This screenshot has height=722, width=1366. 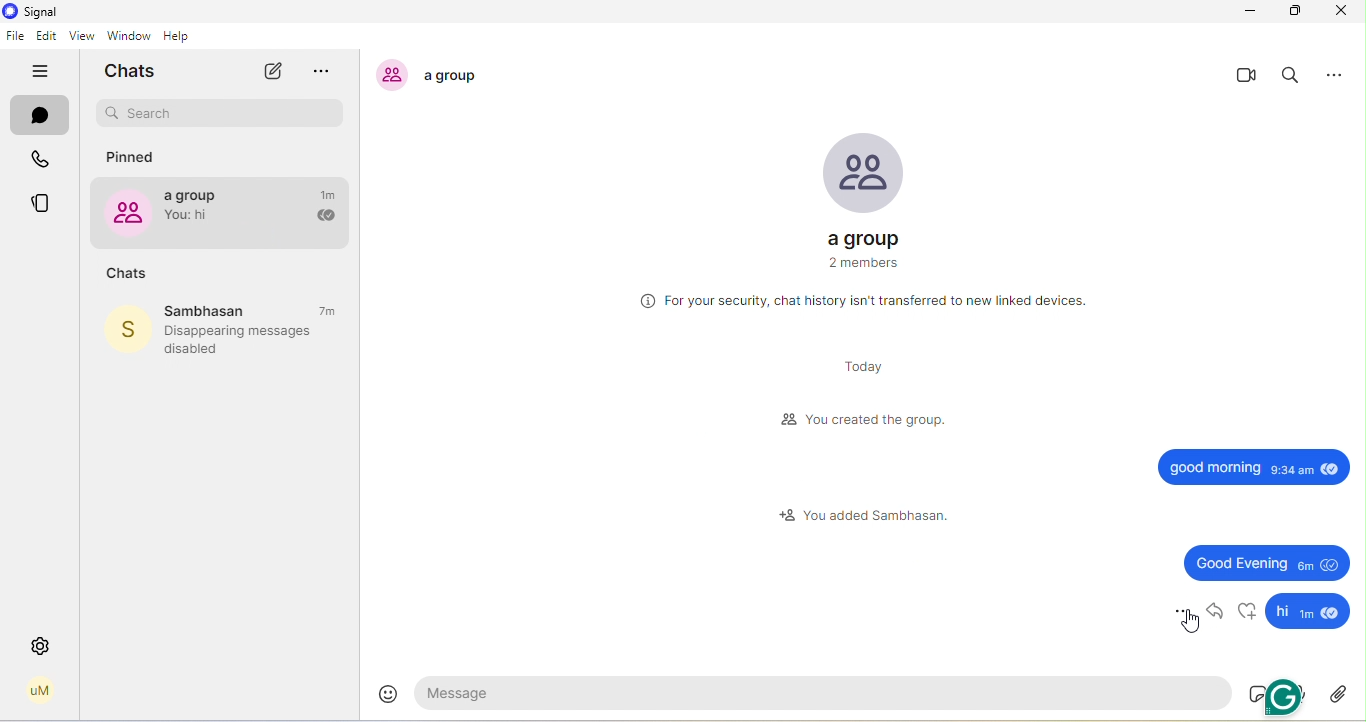 I want to click on profile, so click(x=40, y=691).